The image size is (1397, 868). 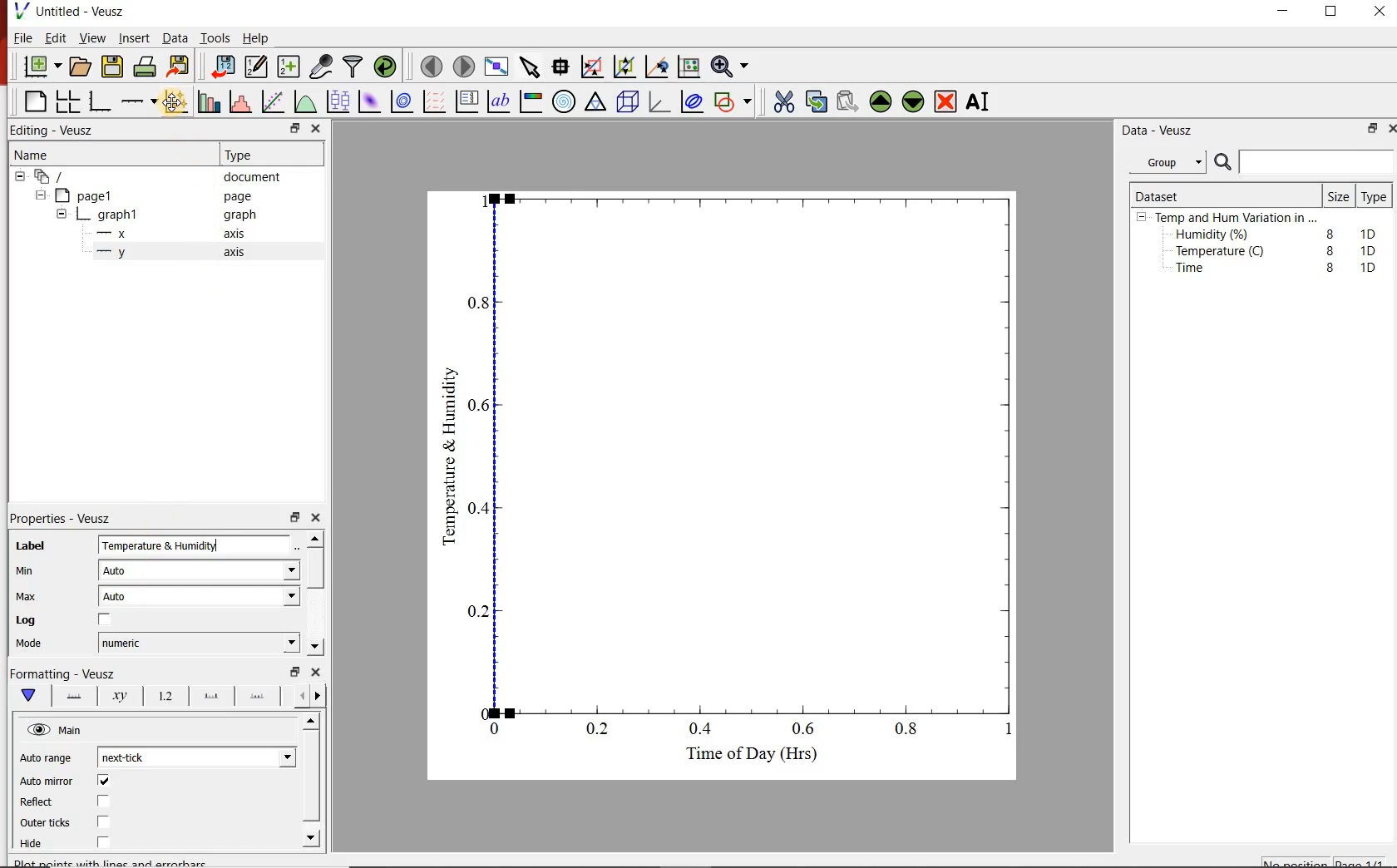 What do you see at coordinates (470, 101) in the screenshot?
I see `plot key` at bounding box center [470, 101].